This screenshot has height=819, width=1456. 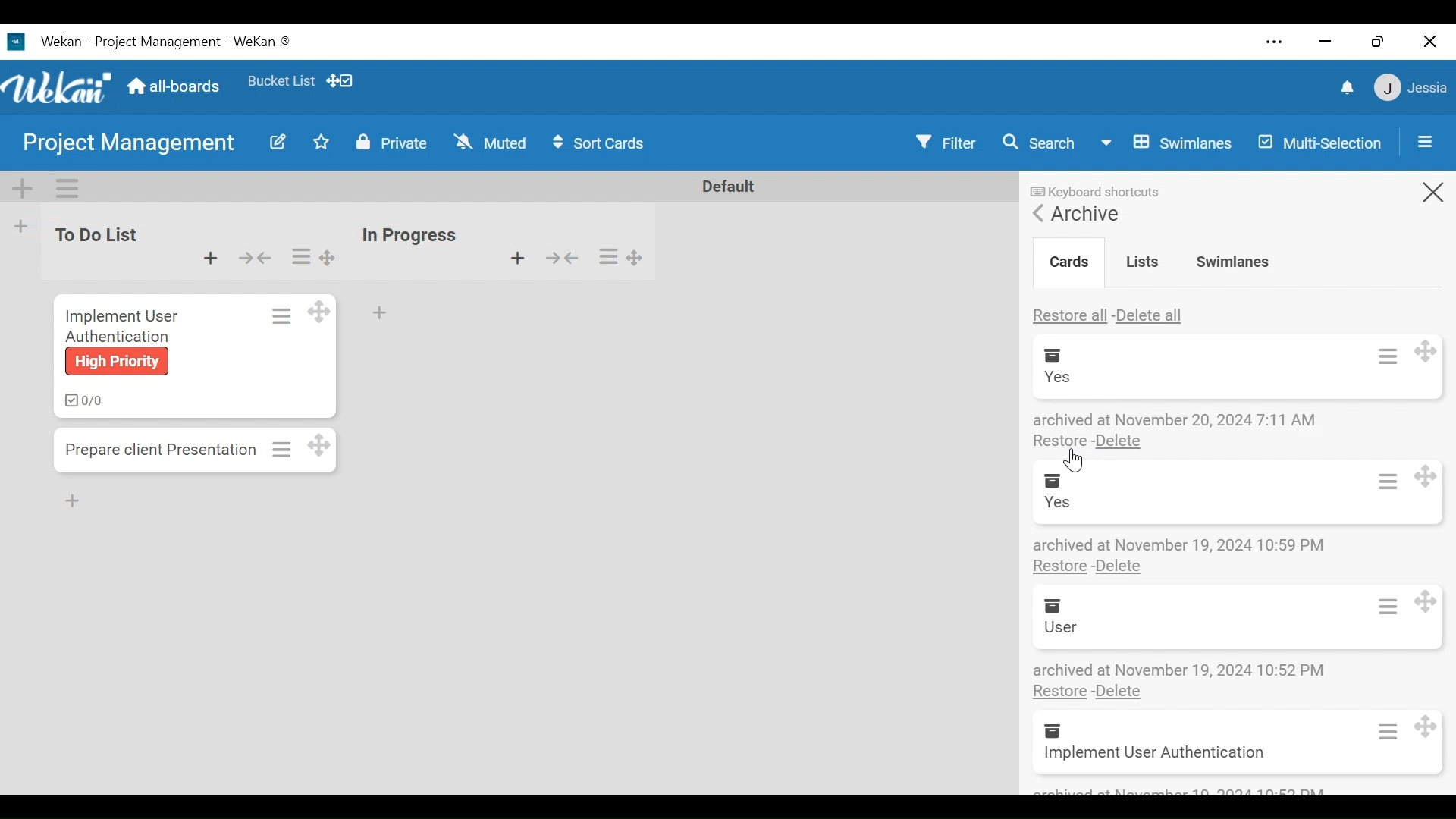 What do you see at coordinates (1377, 41) in the screenshot?
I see `restore` at bounding box center [1377, 41].